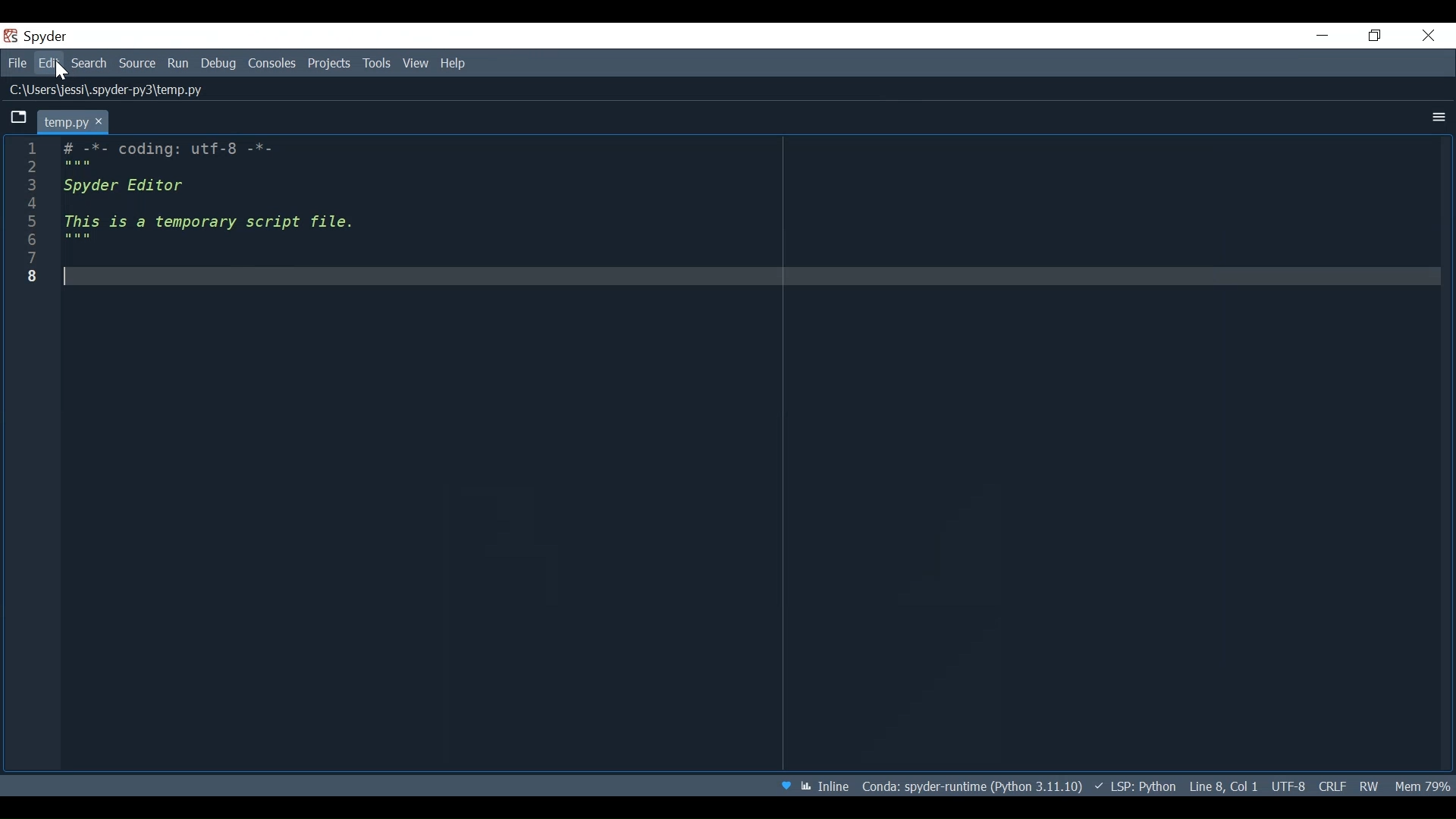 The image size is (1456, 819). What do you see at coordinates (92, 64) in the screenshot?
I see `Search` at bounding box center [92, 64].